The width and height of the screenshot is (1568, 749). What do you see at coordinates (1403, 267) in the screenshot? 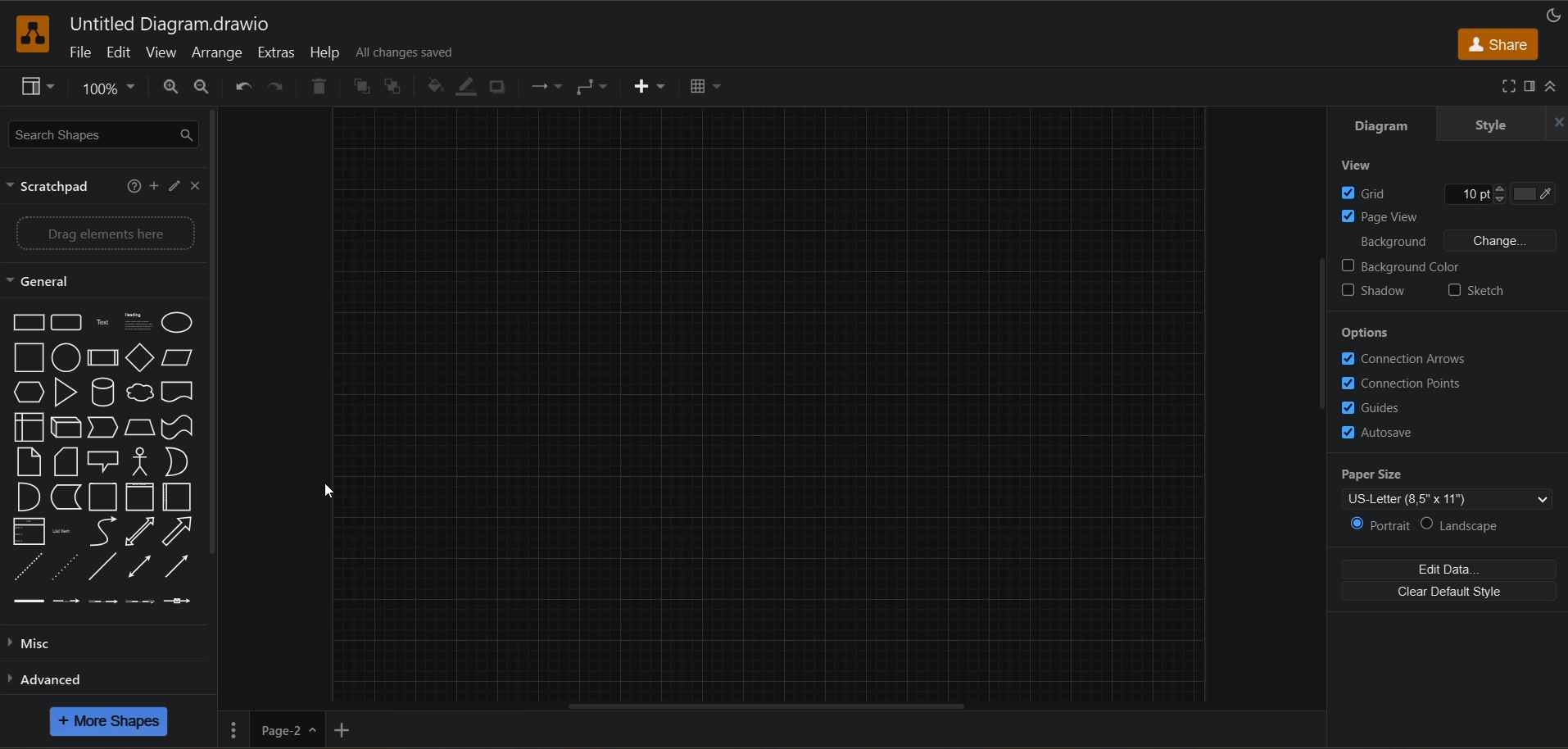
I see `background color` at bounding box center [1403, 267].